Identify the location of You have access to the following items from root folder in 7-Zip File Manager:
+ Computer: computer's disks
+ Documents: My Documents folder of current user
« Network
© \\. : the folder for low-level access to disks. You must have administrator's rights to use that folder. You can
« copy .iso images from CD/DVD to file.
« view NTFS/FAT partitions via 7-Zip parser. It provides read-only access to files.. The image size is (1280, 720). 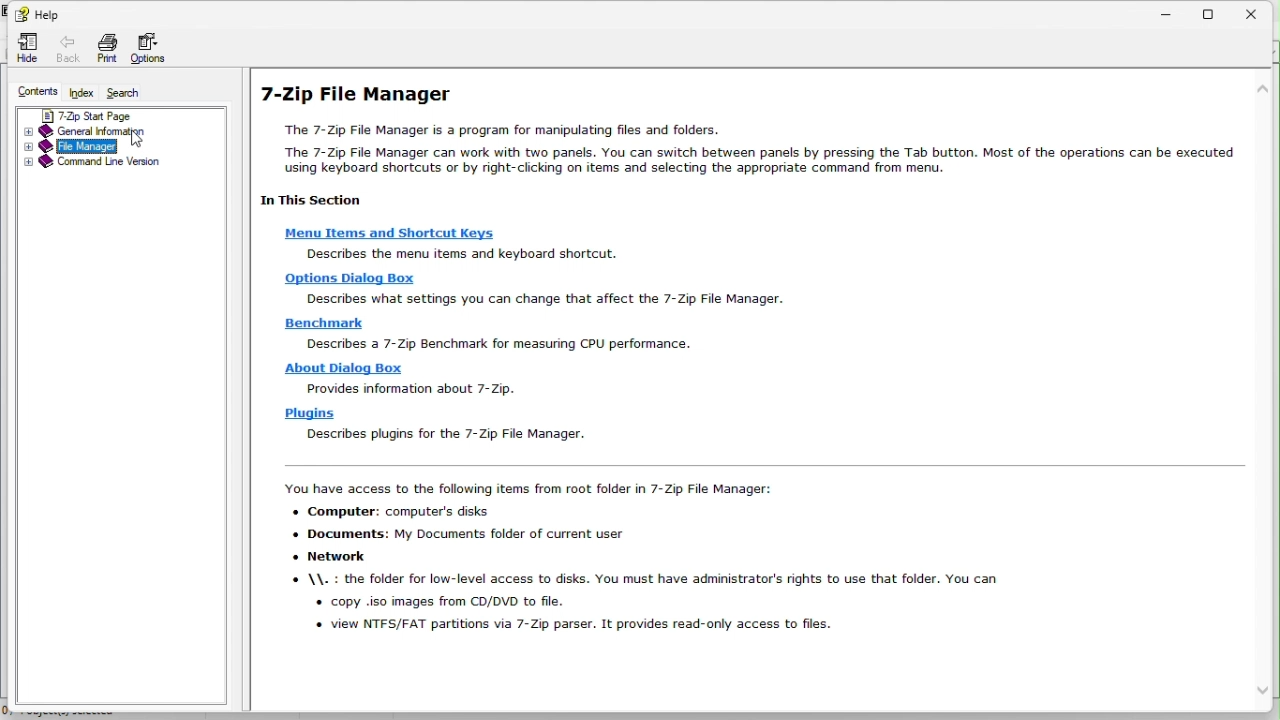
(640, 568).